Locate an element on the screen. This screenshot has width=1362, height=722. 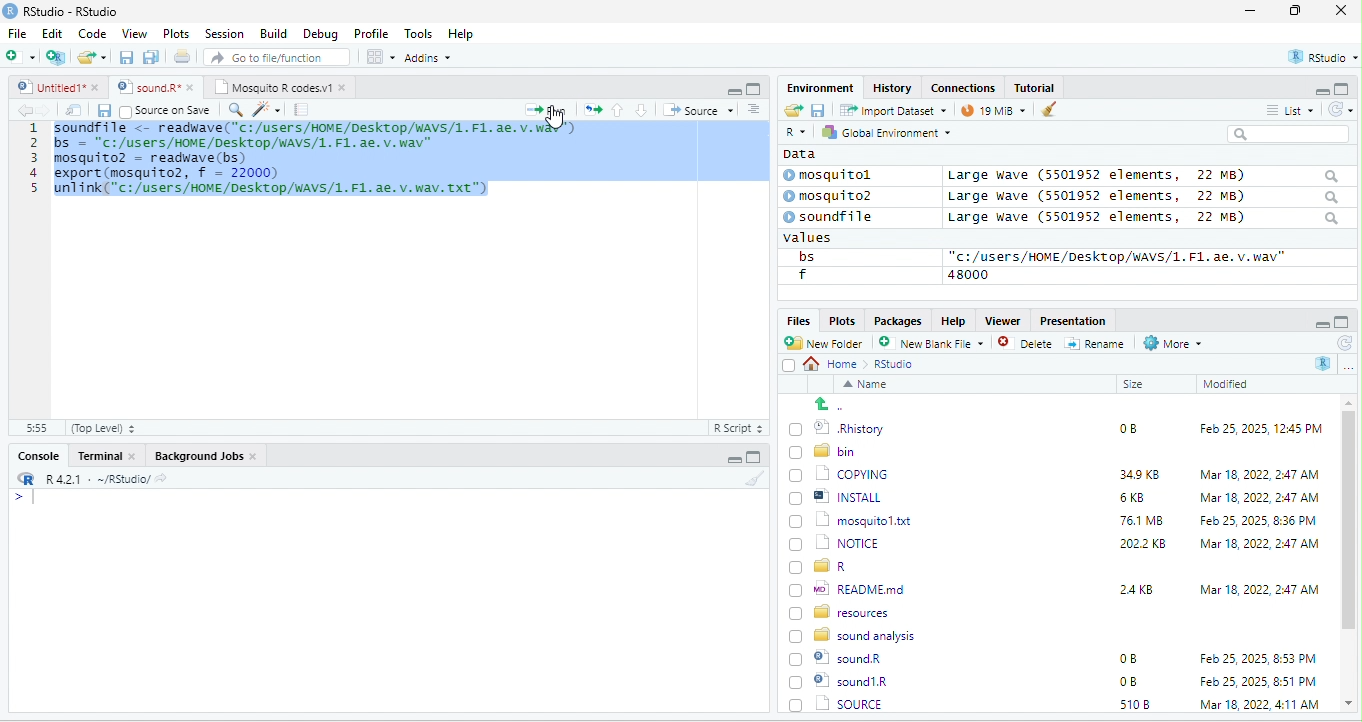
Console is located at coordinates (37, 454).